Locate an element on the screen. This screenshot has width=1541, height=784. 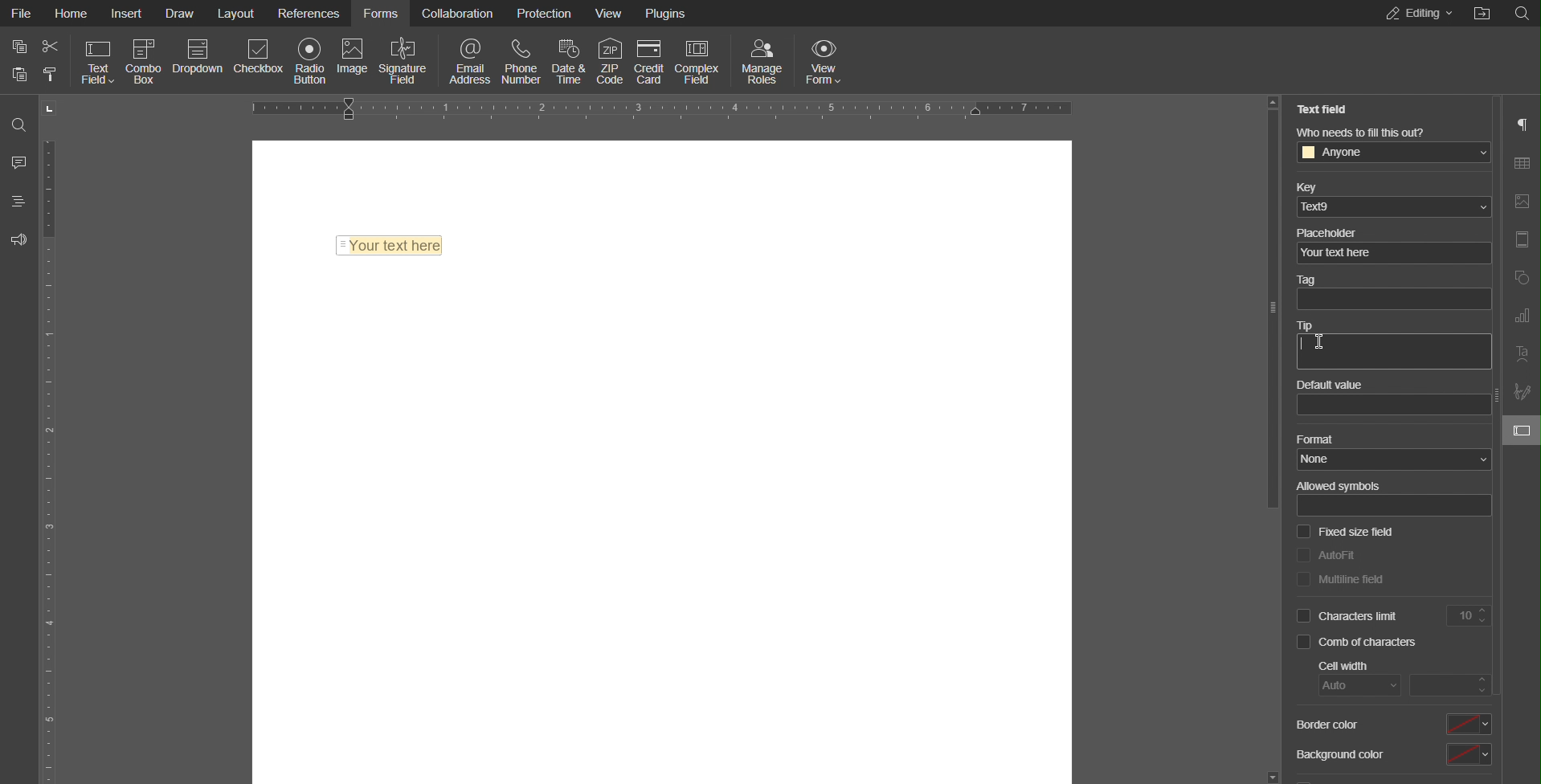
Email Address is located at coordinates (468, 60).